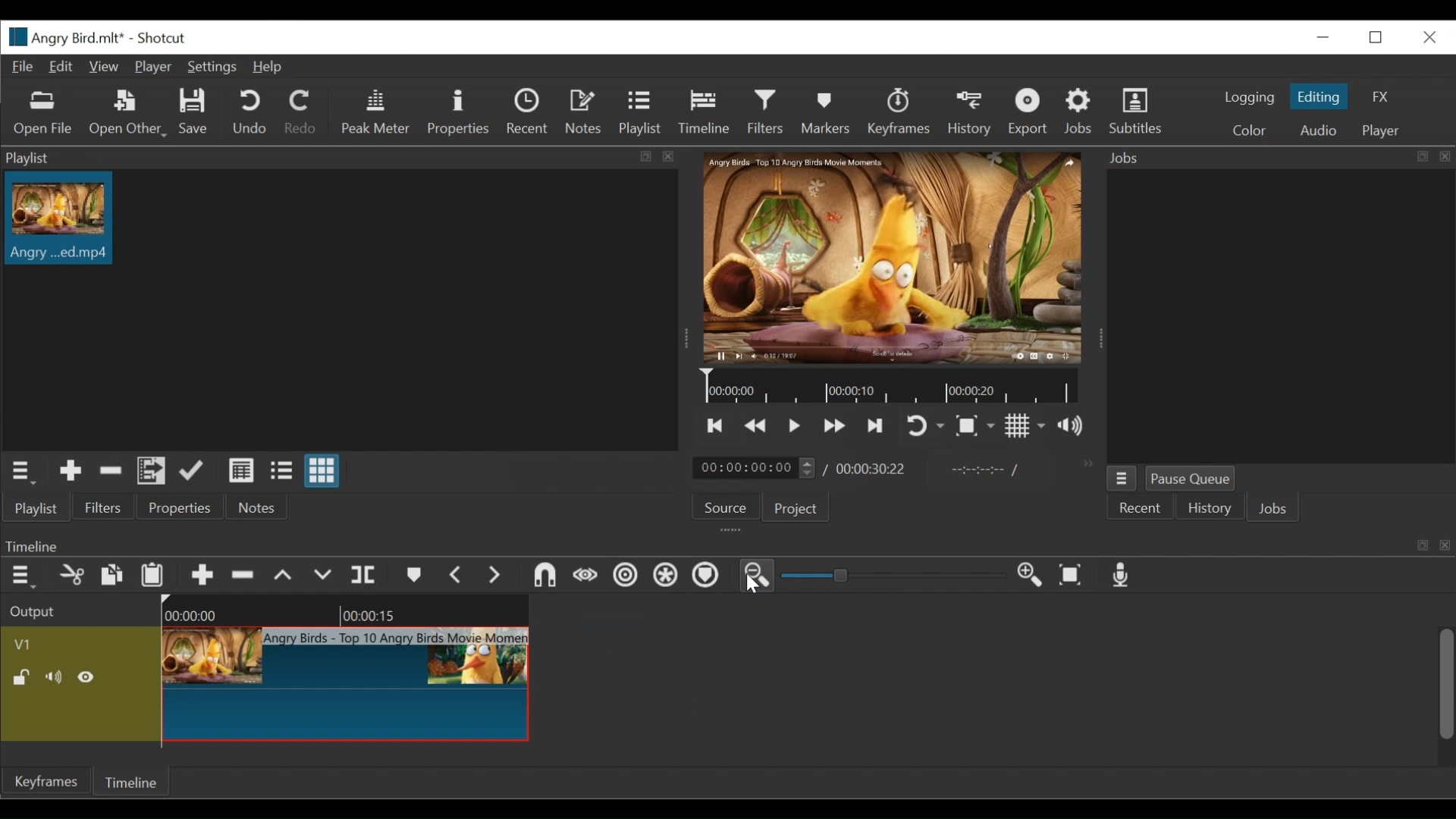 The image size is (1456, 819). What do you see at coordinates (128, 115) in the screenshot?
I see `Open Other` at bounding box center [128, 115].